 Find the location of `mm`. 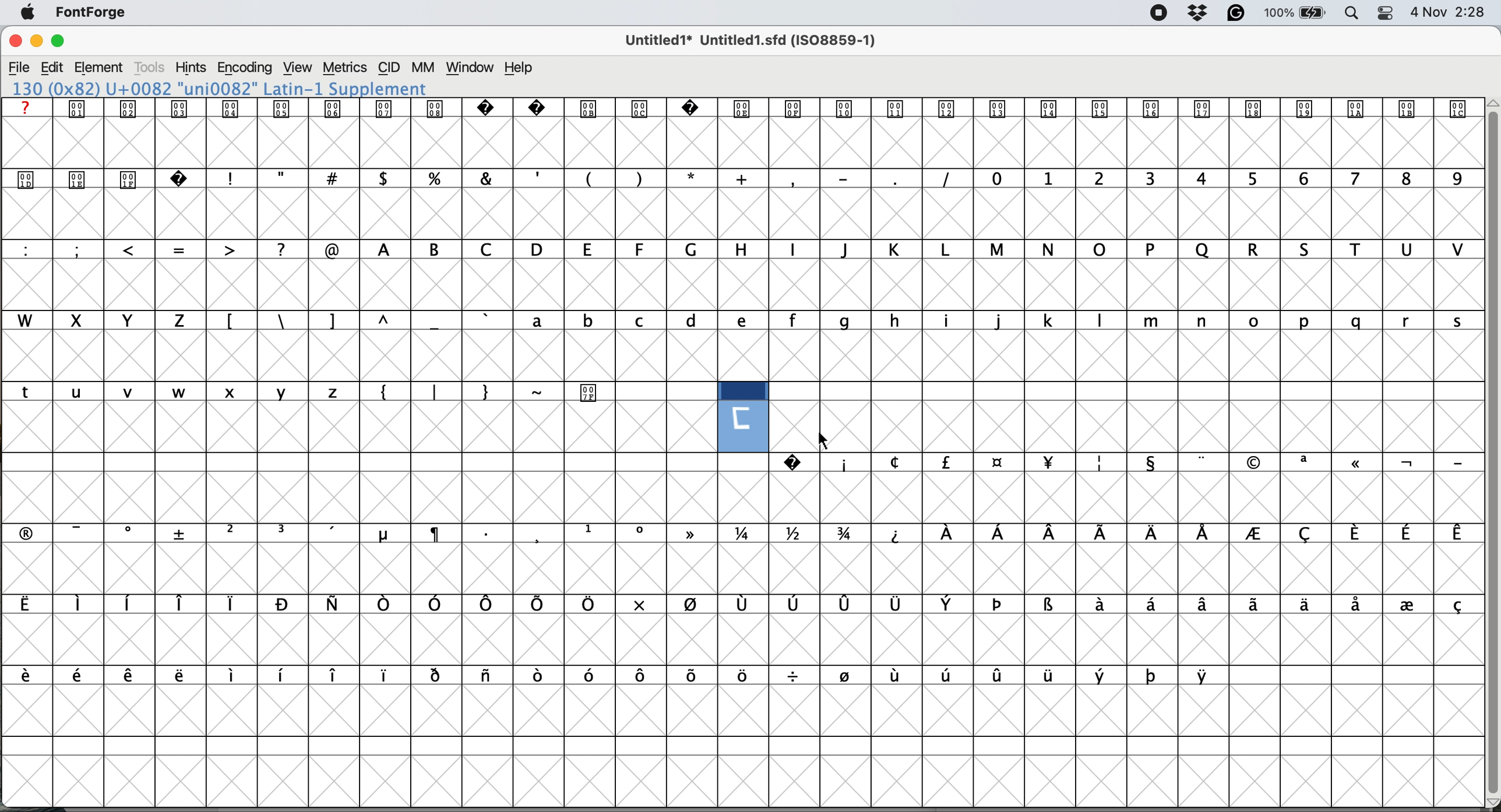

mm is located at coordinates (424, 68).